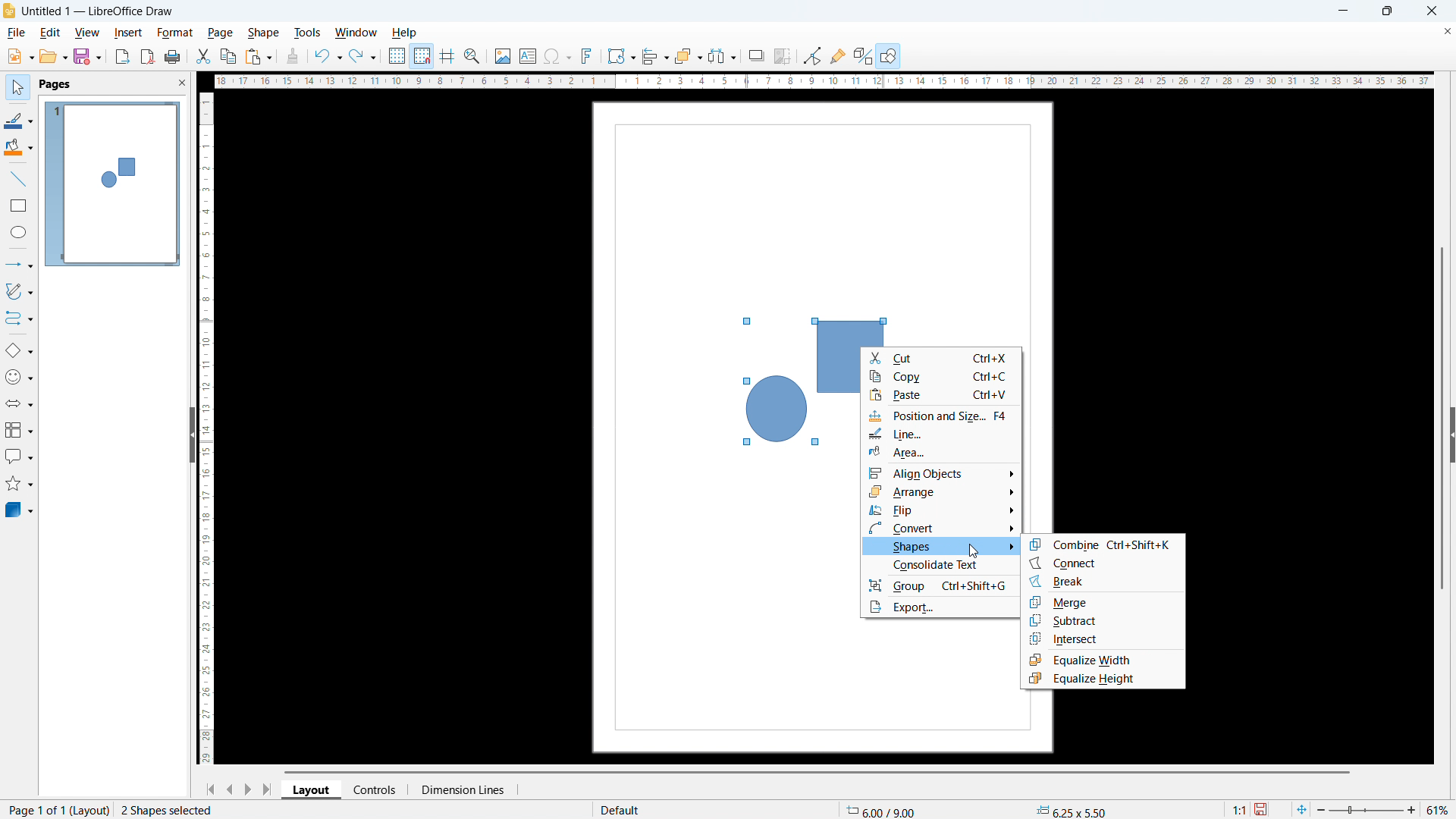 This screenshot has height=819, width=1456. What do you see at coordinates (124, 58) in the screenshot?
I see `export` at bounding box center [124, 58].